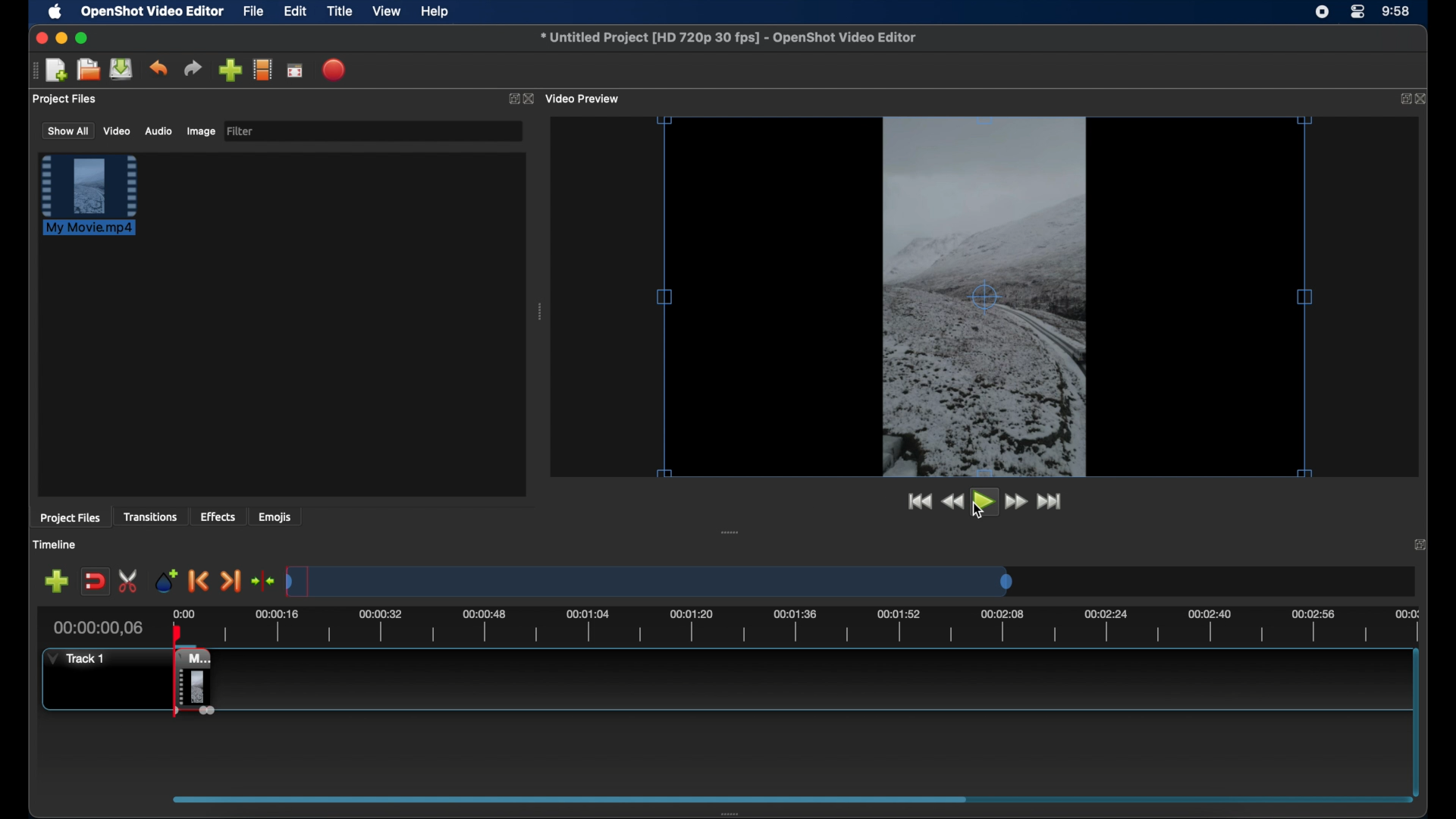 The height and width of the screenshot is (819, 1456). What do you see at coordinates (952, 502) in the screenshot?
I see `rewind` at bounding box center [952, 502].